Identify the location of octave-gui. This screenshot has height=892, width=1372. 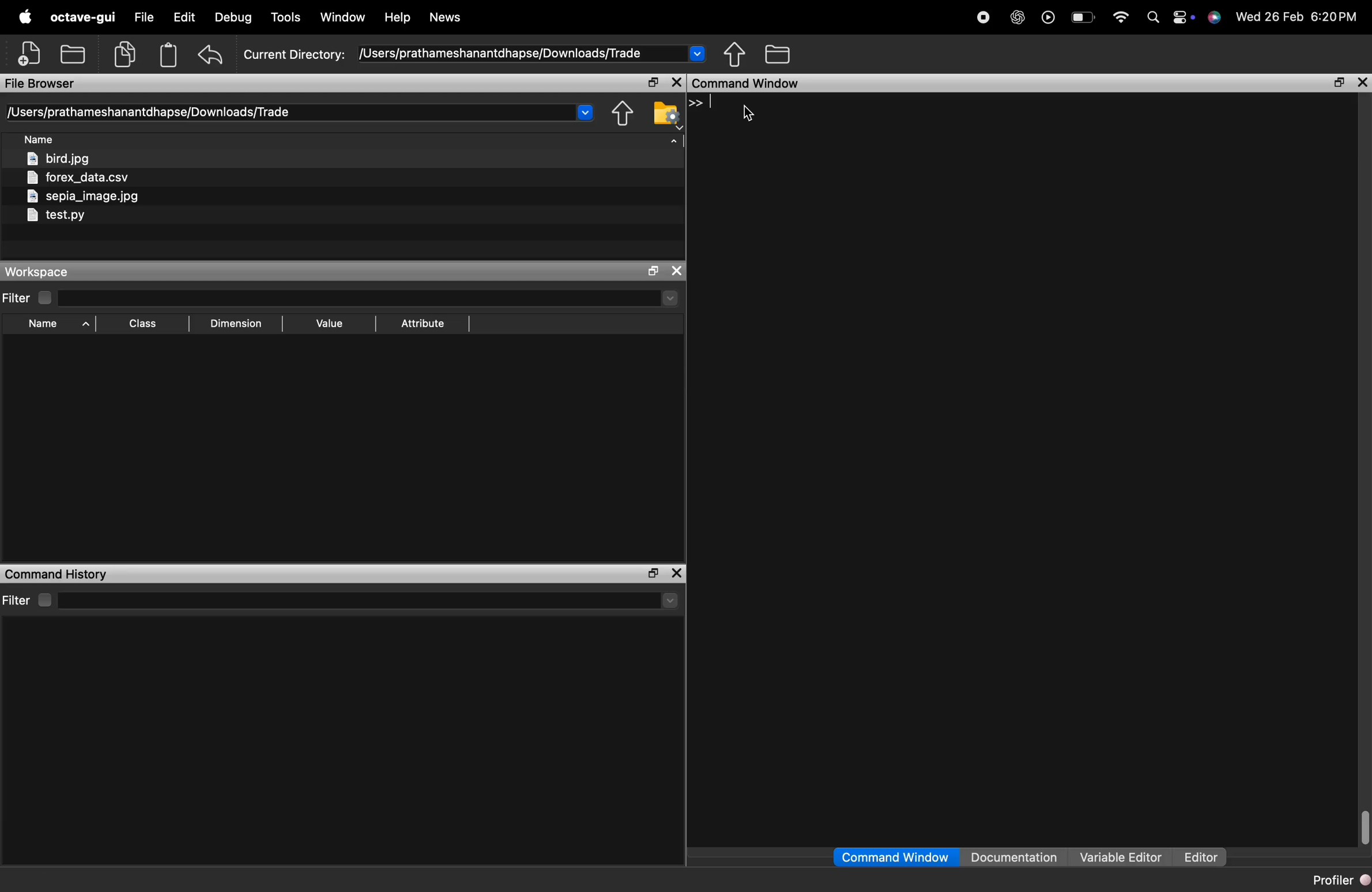
(83, 17).